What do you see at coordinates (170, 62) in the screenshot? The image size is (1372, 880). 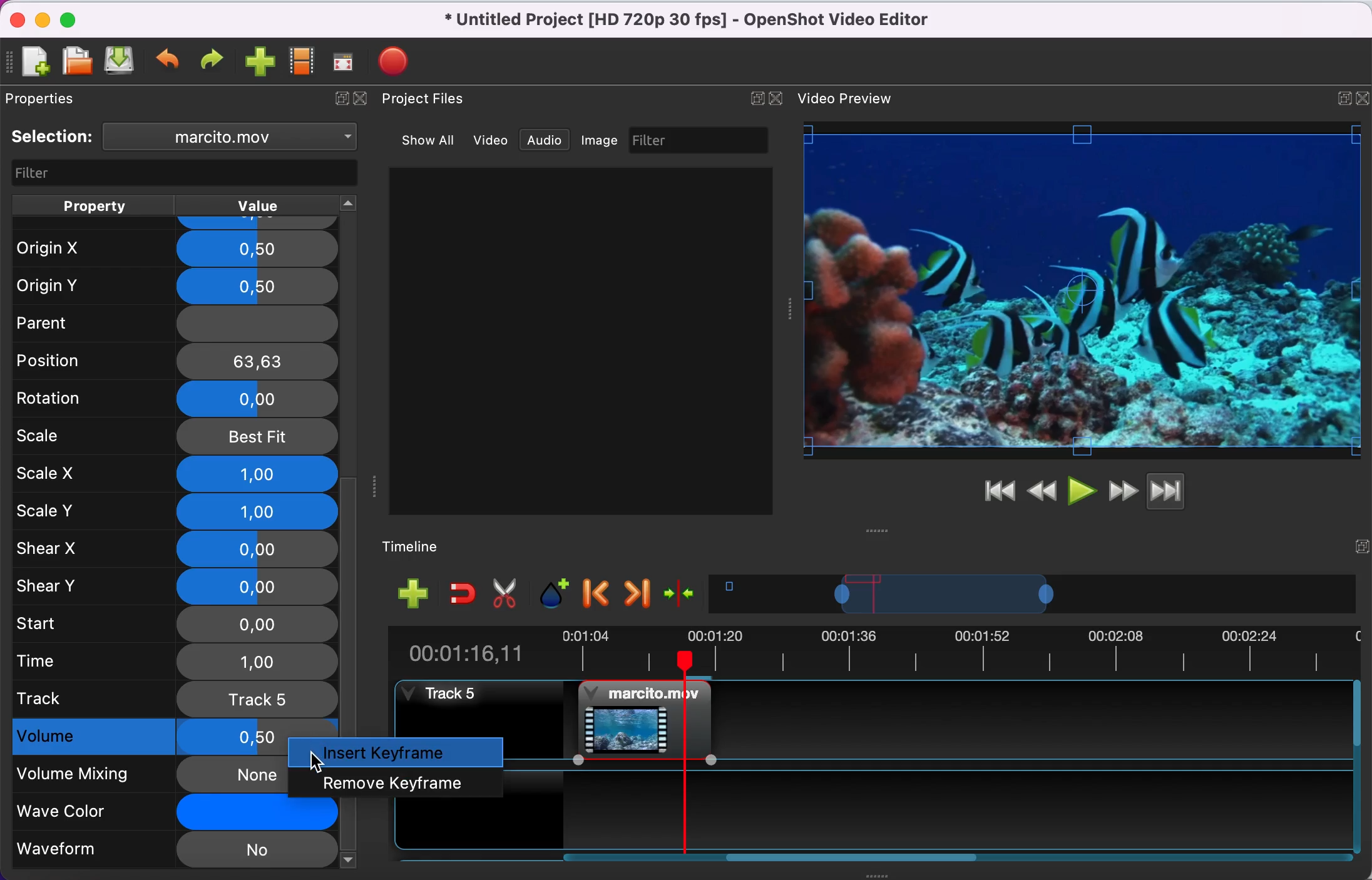 I see `undo` at bounding box center [170, 62].